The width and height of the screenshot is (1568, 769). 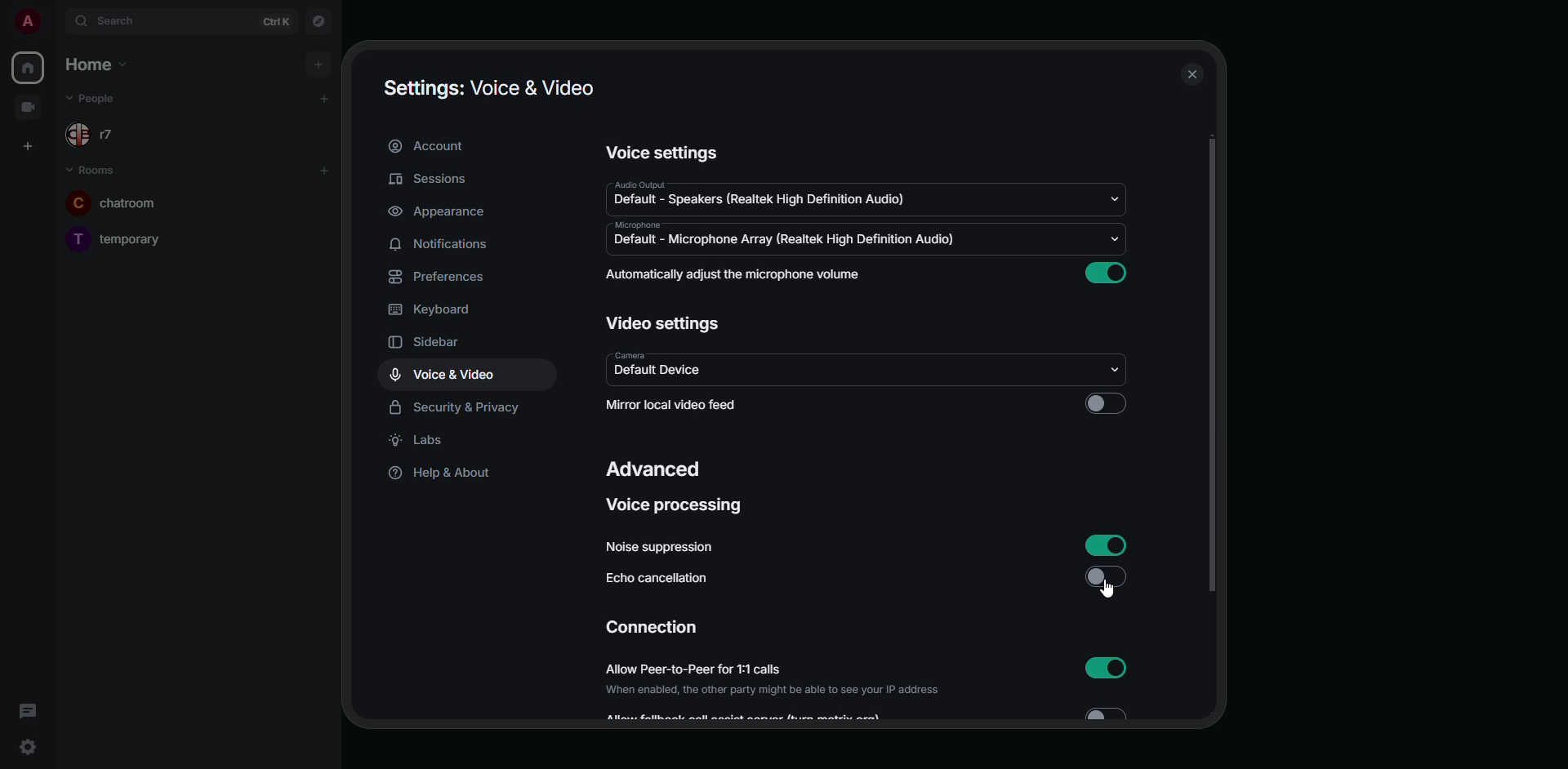 I want to click on search, so click(x=120, y=21).